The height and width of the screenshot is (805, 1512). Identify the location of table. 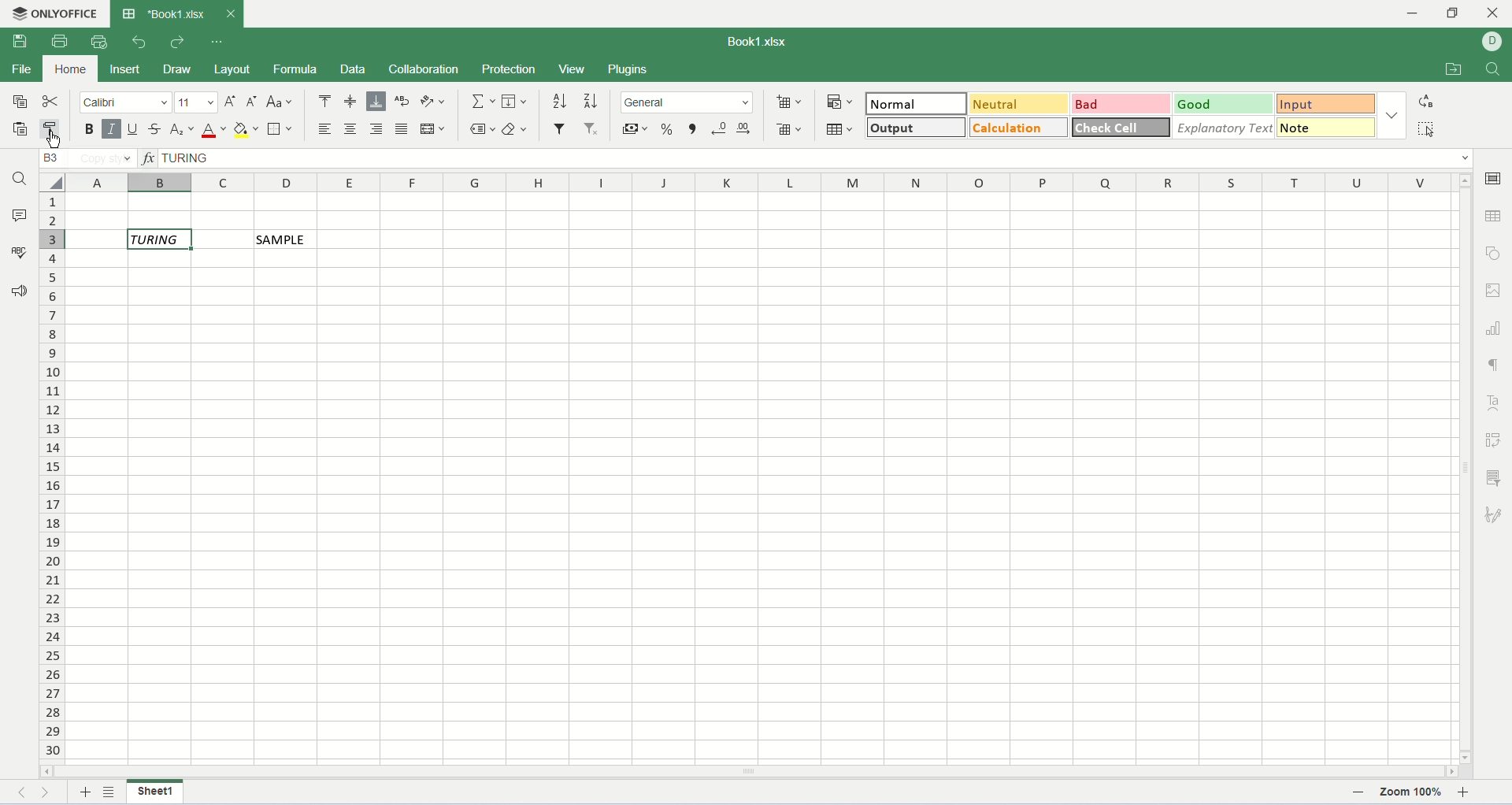
(841, 128).